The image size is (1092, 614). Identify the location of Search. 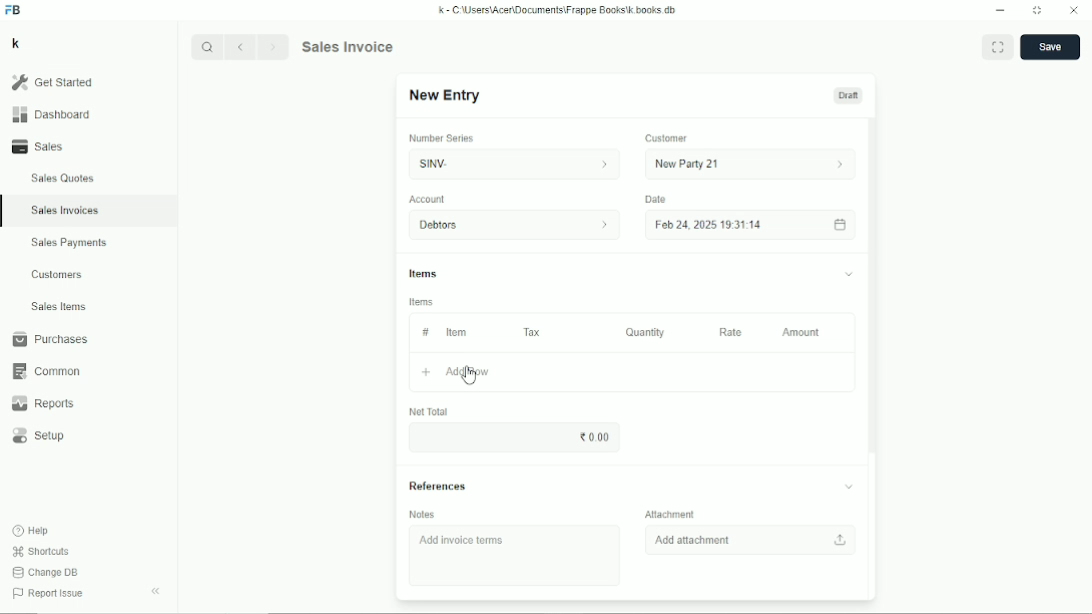
(208, 47).